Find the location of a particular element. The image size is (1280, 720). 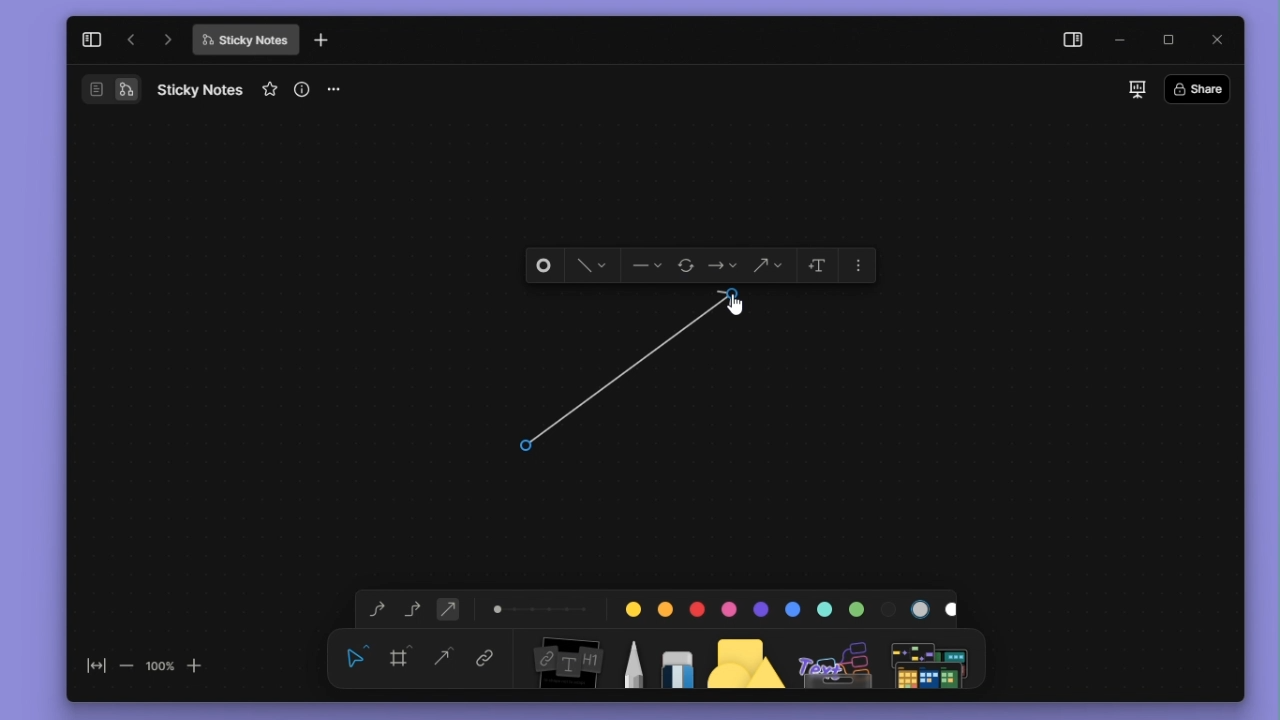

view info is located at coordinates (304, 89).